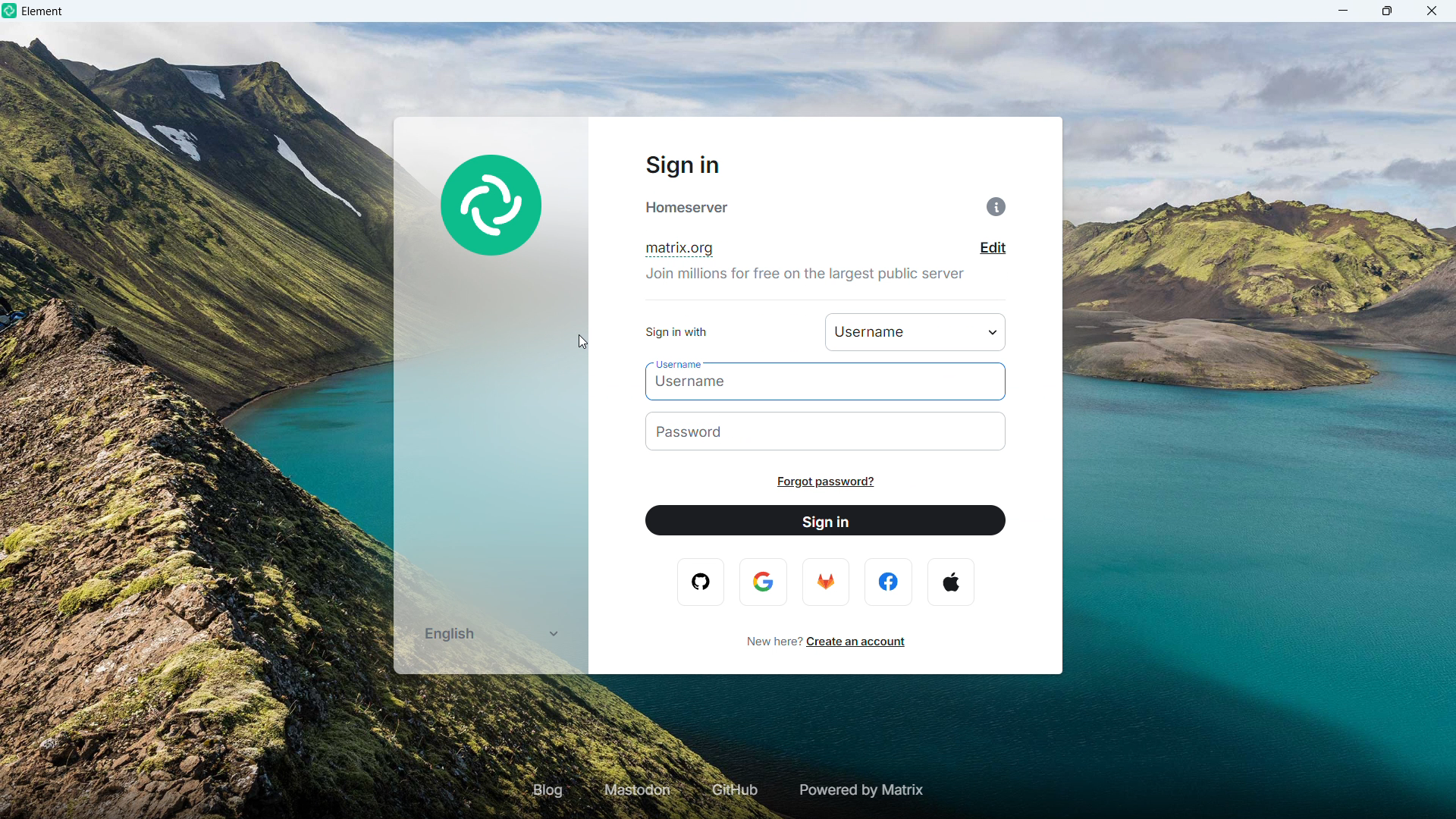  I want to click on element logo, so click(11, 11).